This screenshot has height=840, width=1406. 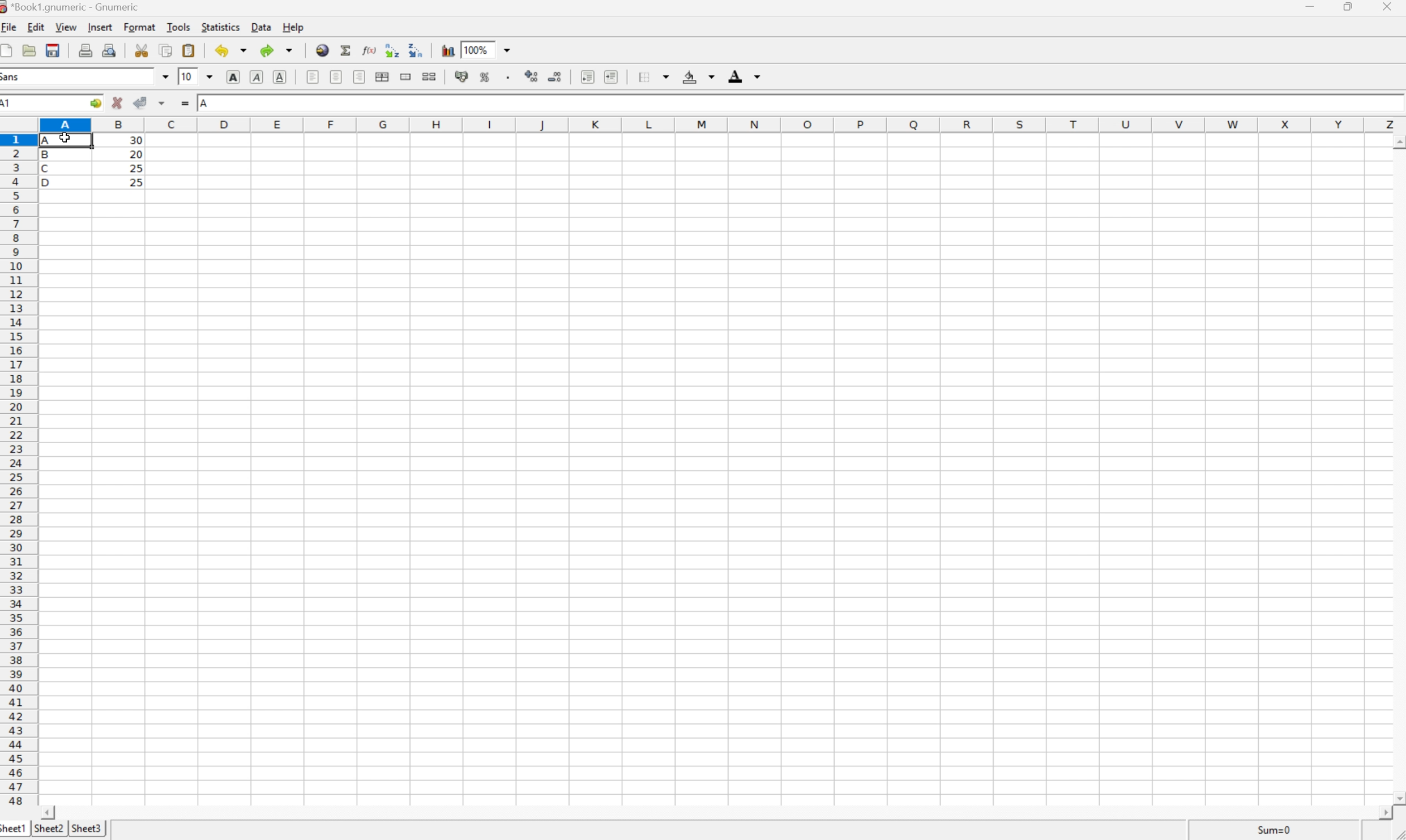 What do you see at coordinates (557, 78) in the screenshot?
I see `Decrease number of decimals displayed` at bounding box center [557, 78].